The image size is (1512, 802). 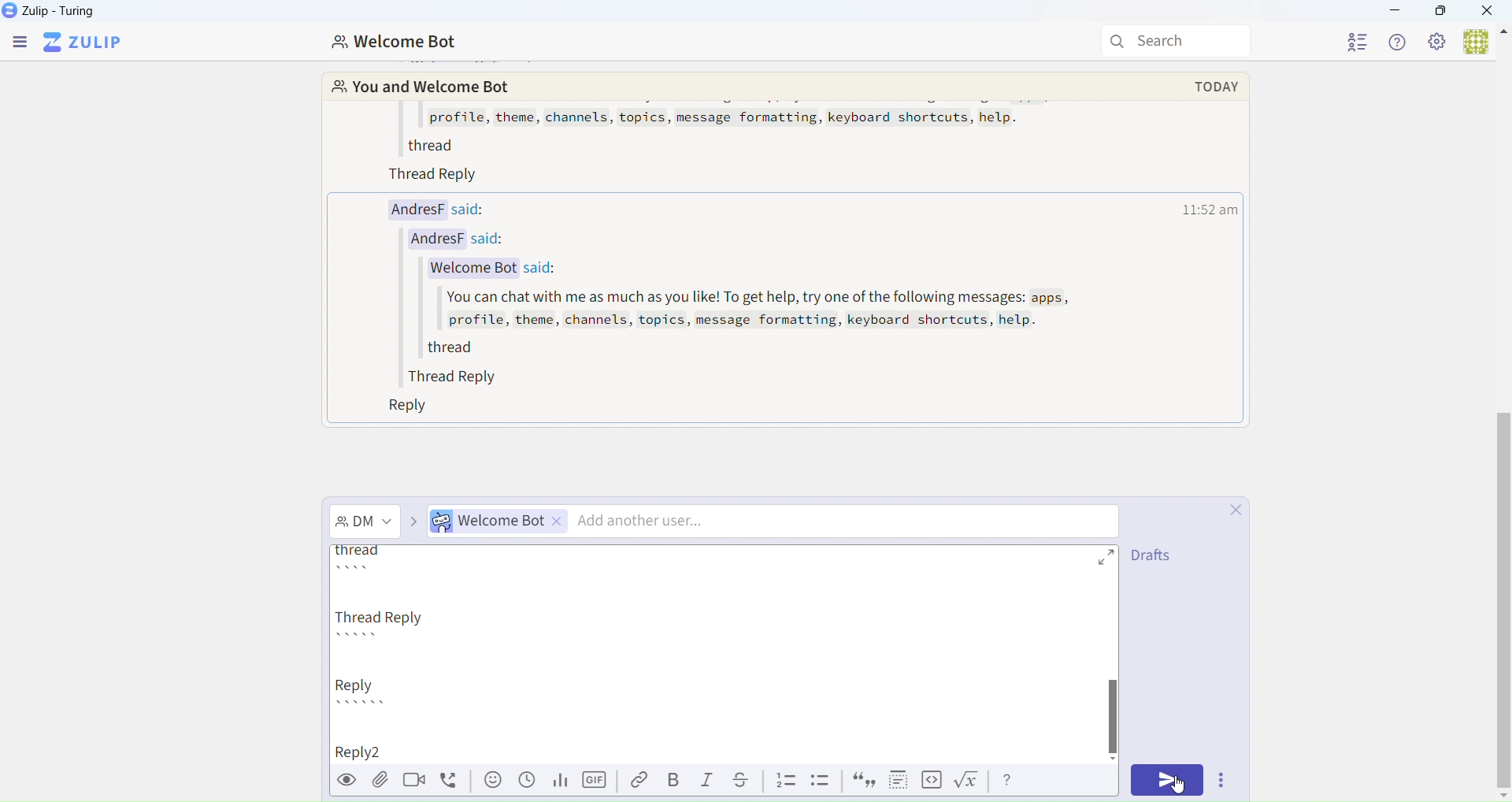 What do you see at coordinates (417, 784) in the screenshot?
I see `videocall` at bounding box center [417, 784].